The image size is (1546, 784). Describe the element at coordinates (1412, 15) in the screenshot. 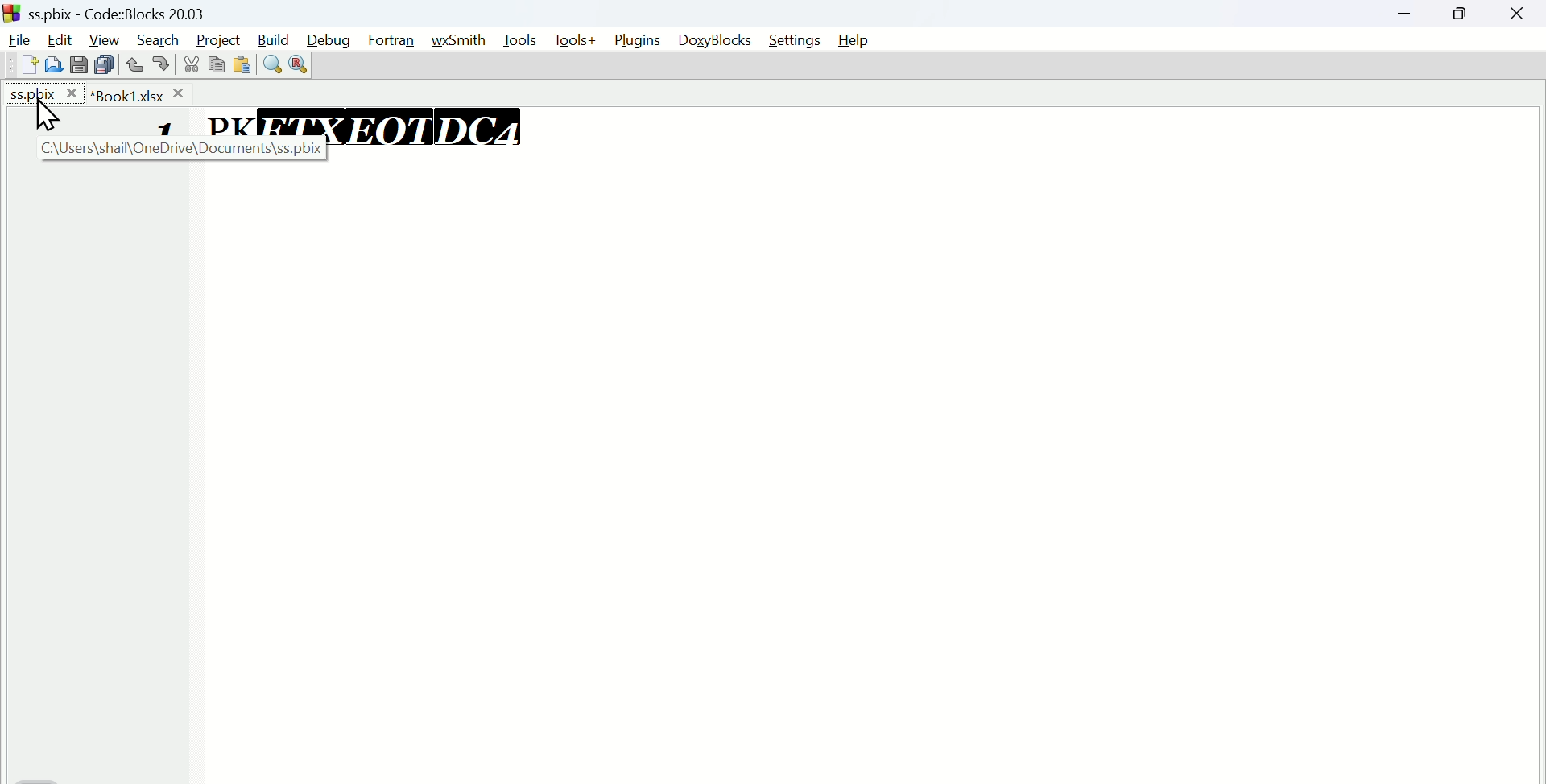

I see `minimise` at that location.